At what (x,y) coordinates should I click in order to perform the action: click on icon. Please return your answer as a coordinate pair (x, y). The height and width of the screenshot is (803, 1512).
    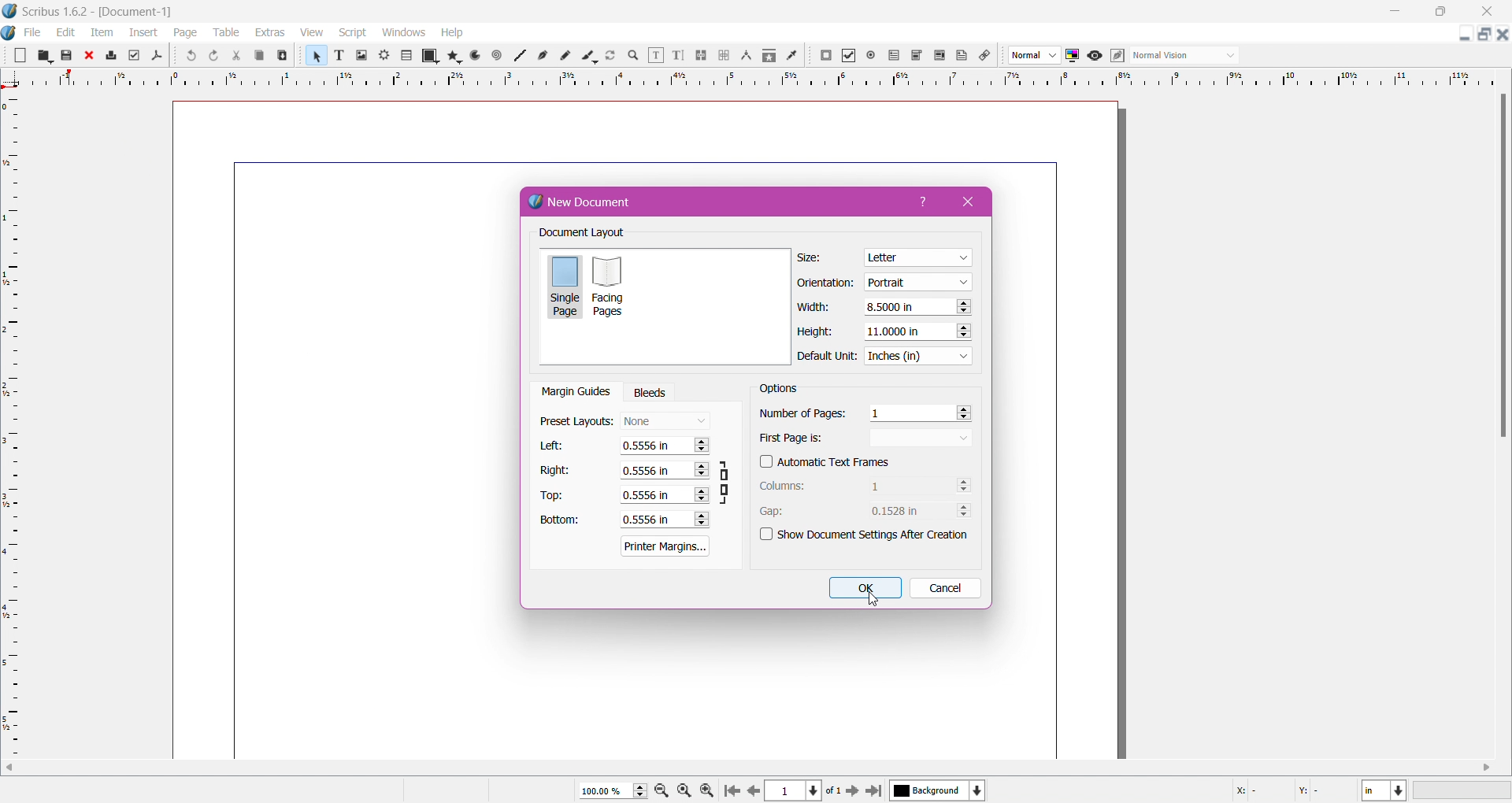
    Looking at the image, I should click on (543, 57).